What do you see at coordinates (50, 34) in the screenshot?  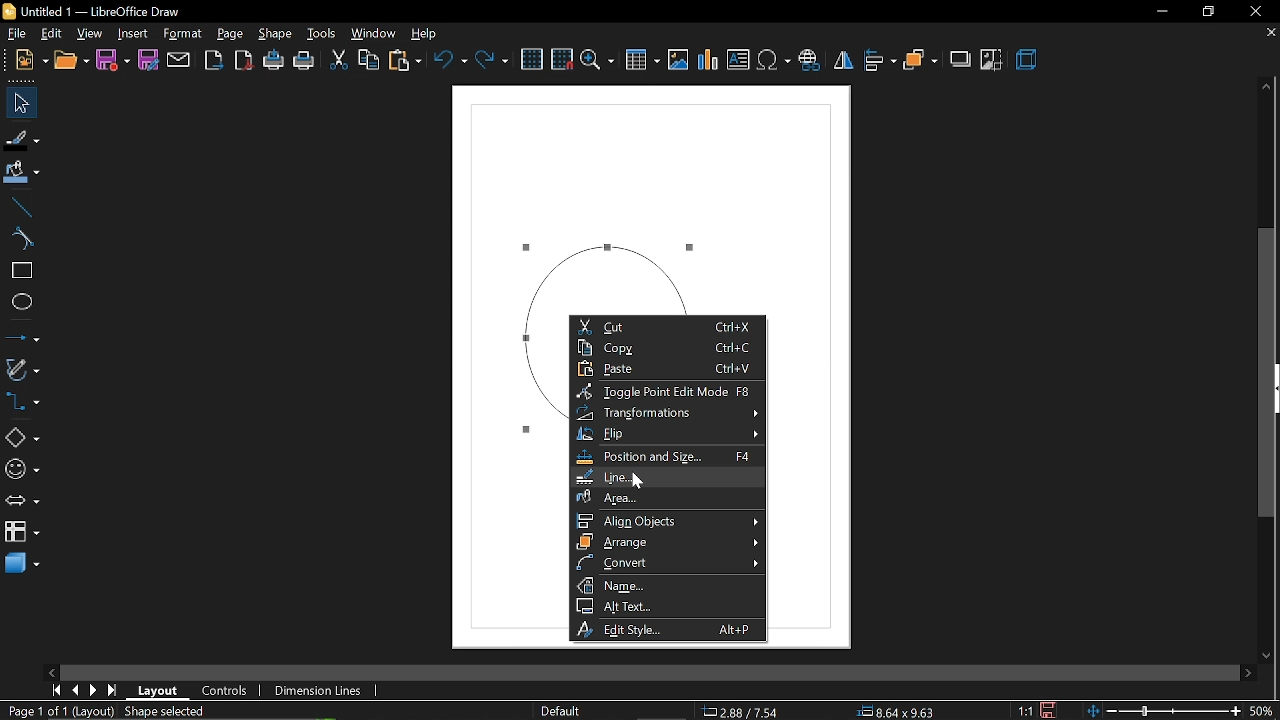 I see `edit` at bounding box center [50, 34].